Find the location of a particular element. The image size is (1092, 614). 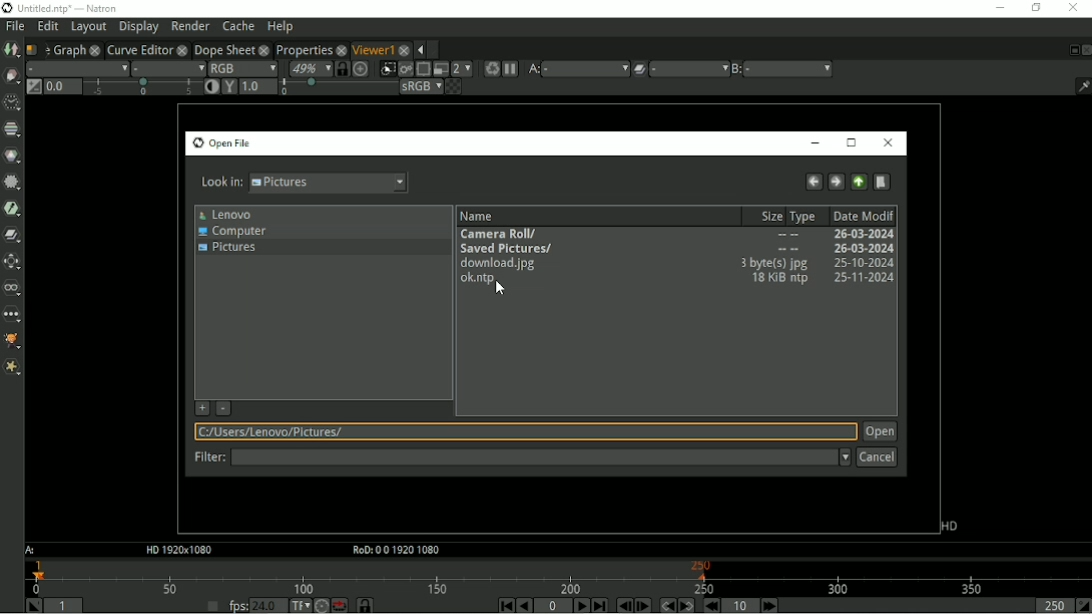

Set playback in point is located at coordinates (33, 605).